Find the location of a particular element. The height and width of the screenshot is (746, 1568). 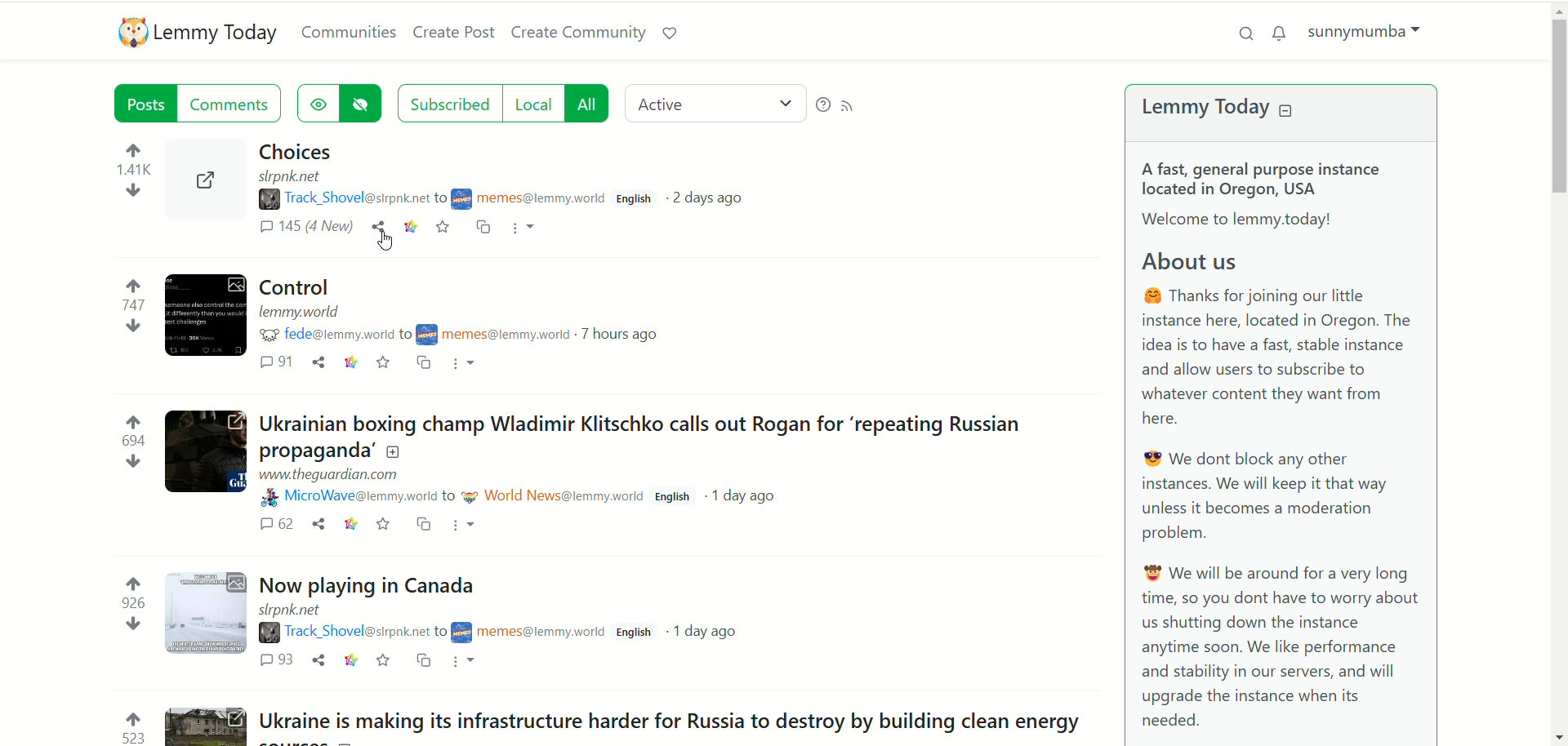

RSS is located at coordinates (860, 108).